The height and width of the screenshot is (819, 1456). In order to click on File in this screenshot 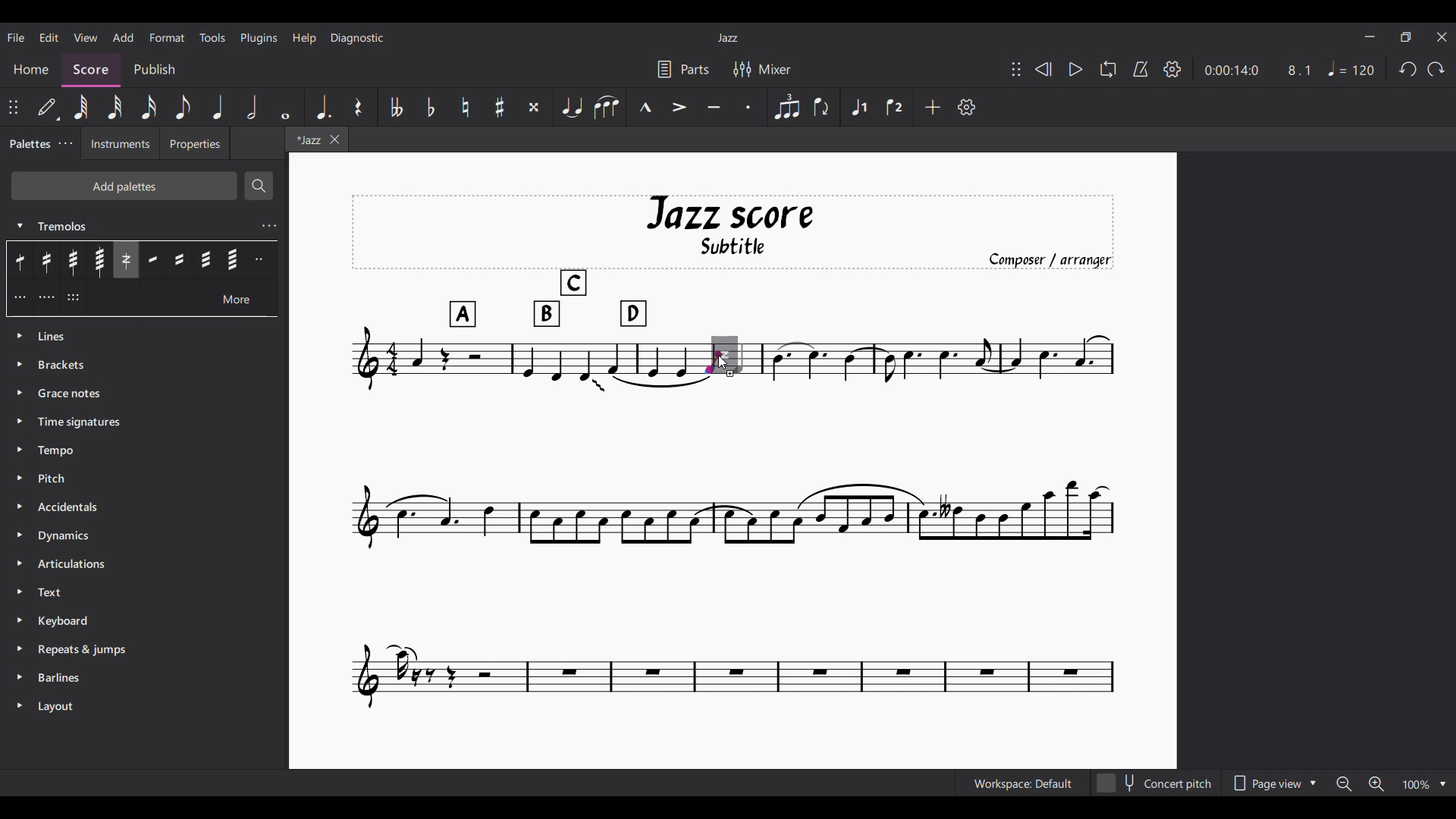, I will do `click(15, 38)`.